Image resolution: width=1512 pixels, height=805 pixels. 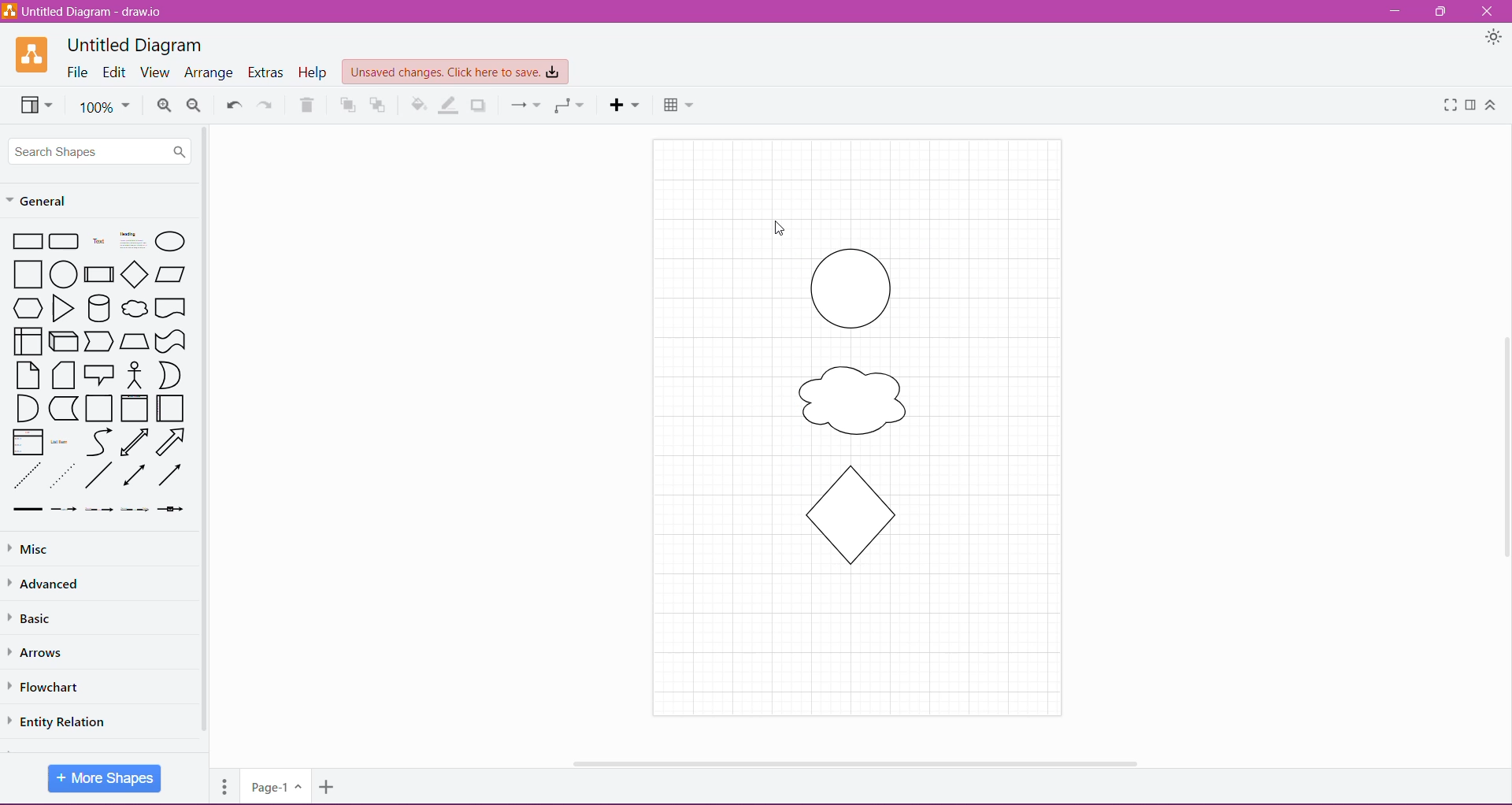 What do you see at coordinates (1491, 106) in the screenshot?
I see `Expand/Collapse` at bounding box center [1491, 106].